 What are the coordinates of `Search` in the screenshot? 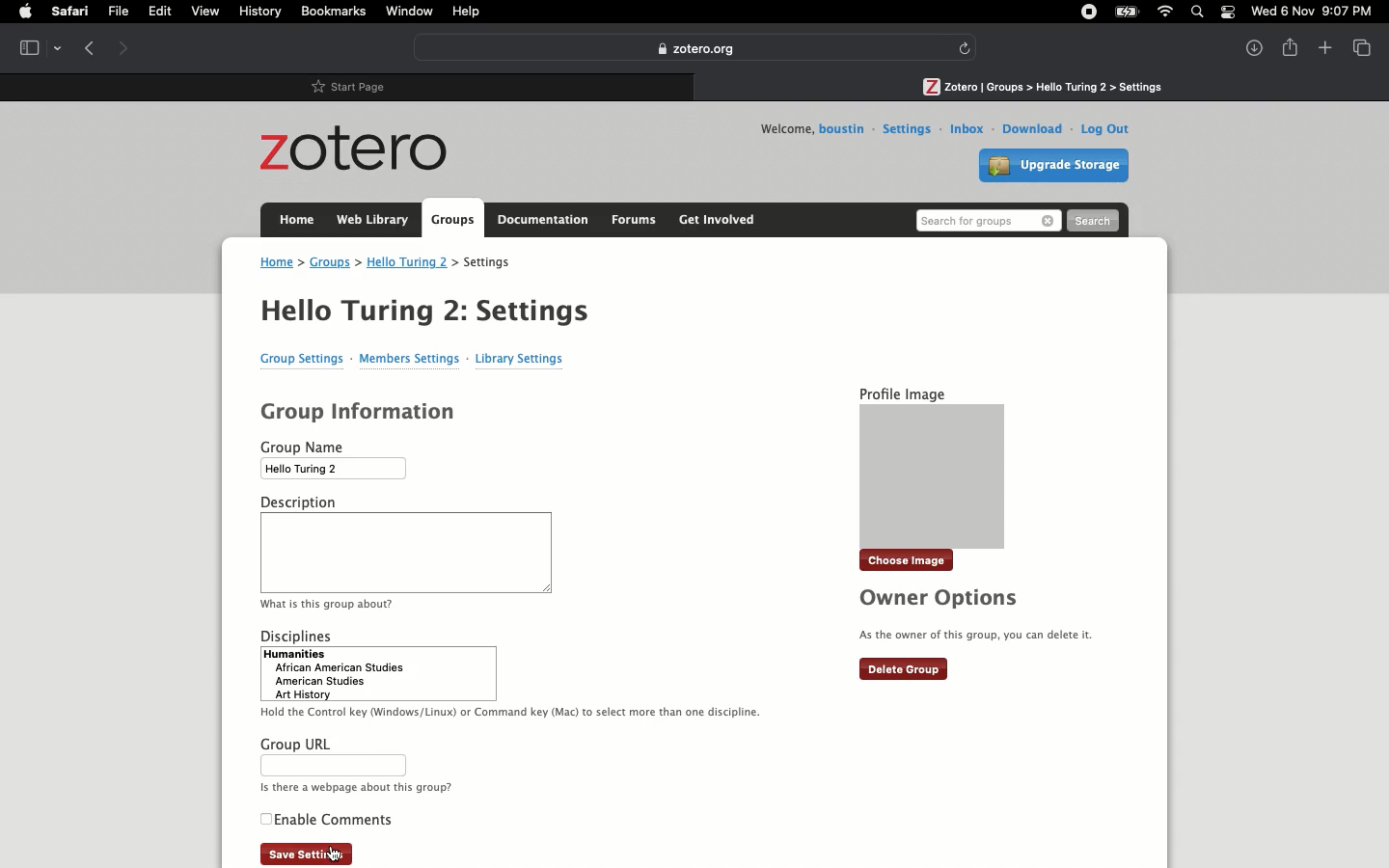 It's located at (1198, 12).